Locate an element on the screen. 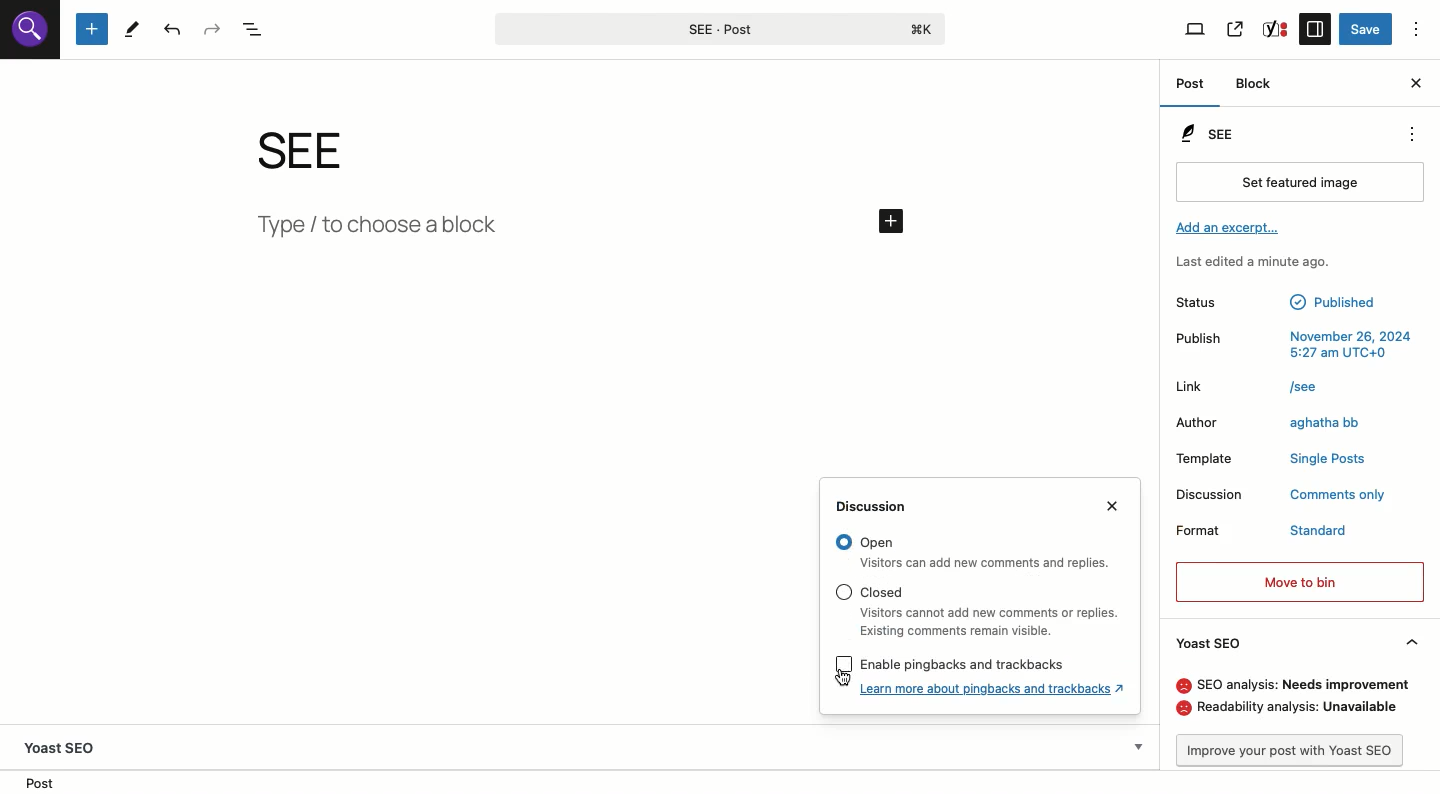 This screenshot has height=794, width=1440. logo is located at coordinates (29, 35).